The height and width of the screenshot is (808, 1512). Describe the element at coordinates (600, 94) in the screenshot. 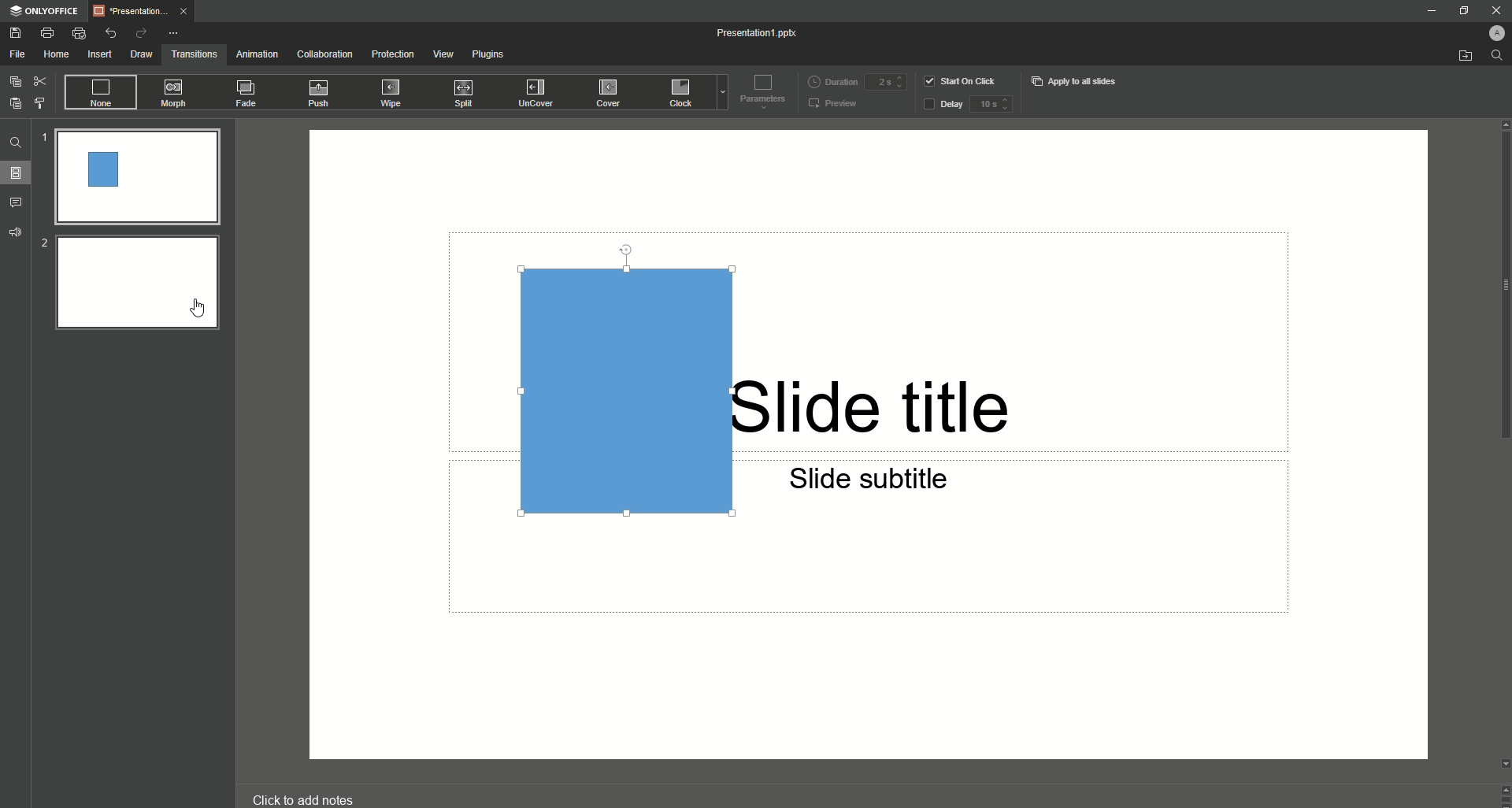

I see `Cover` at that location.